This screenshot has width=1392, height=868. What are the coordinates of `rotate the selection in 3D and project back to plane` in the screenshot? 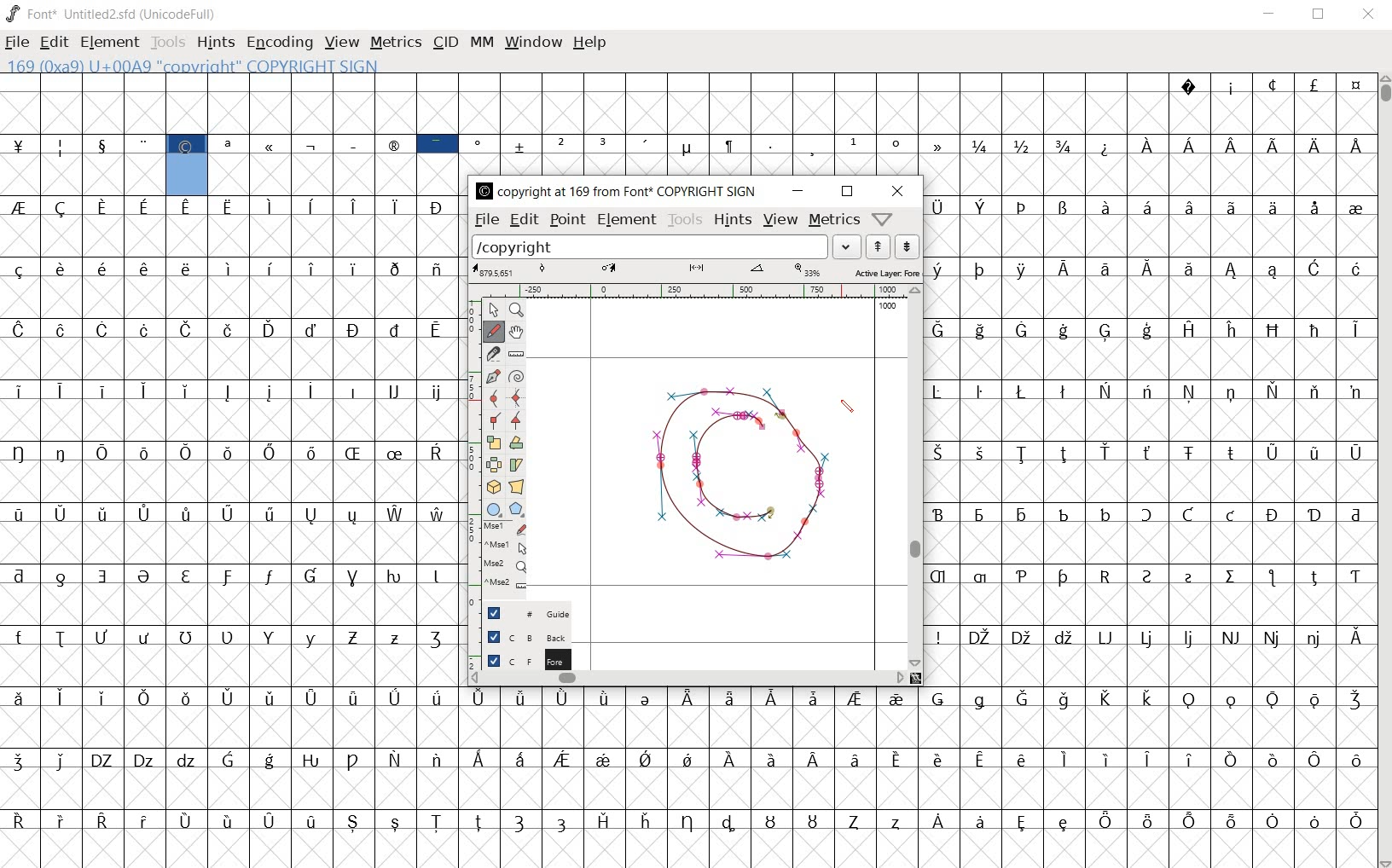 It's located at (493, 486).